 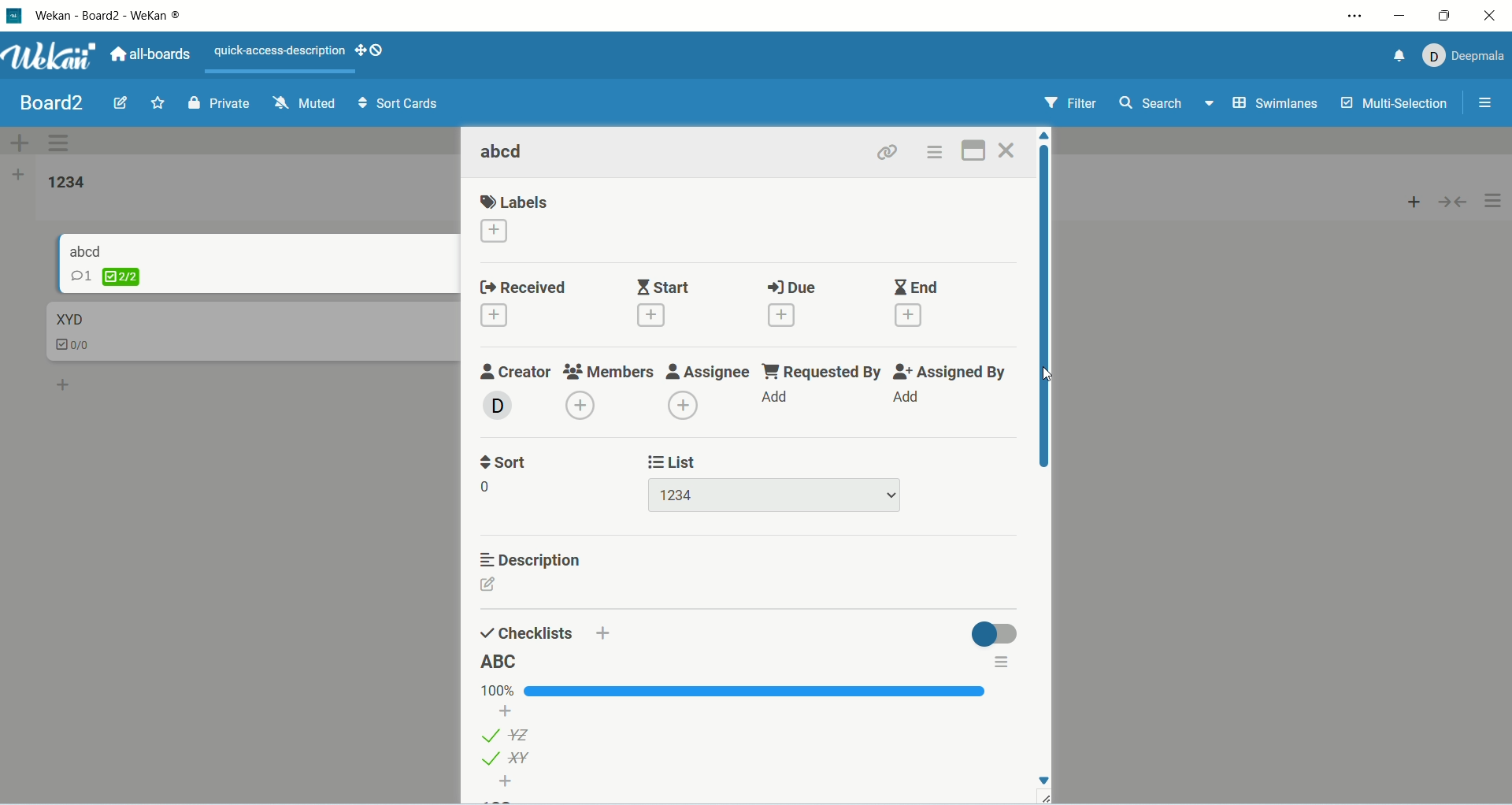 I want to click on add swimlane, so click(x=16, y=139).